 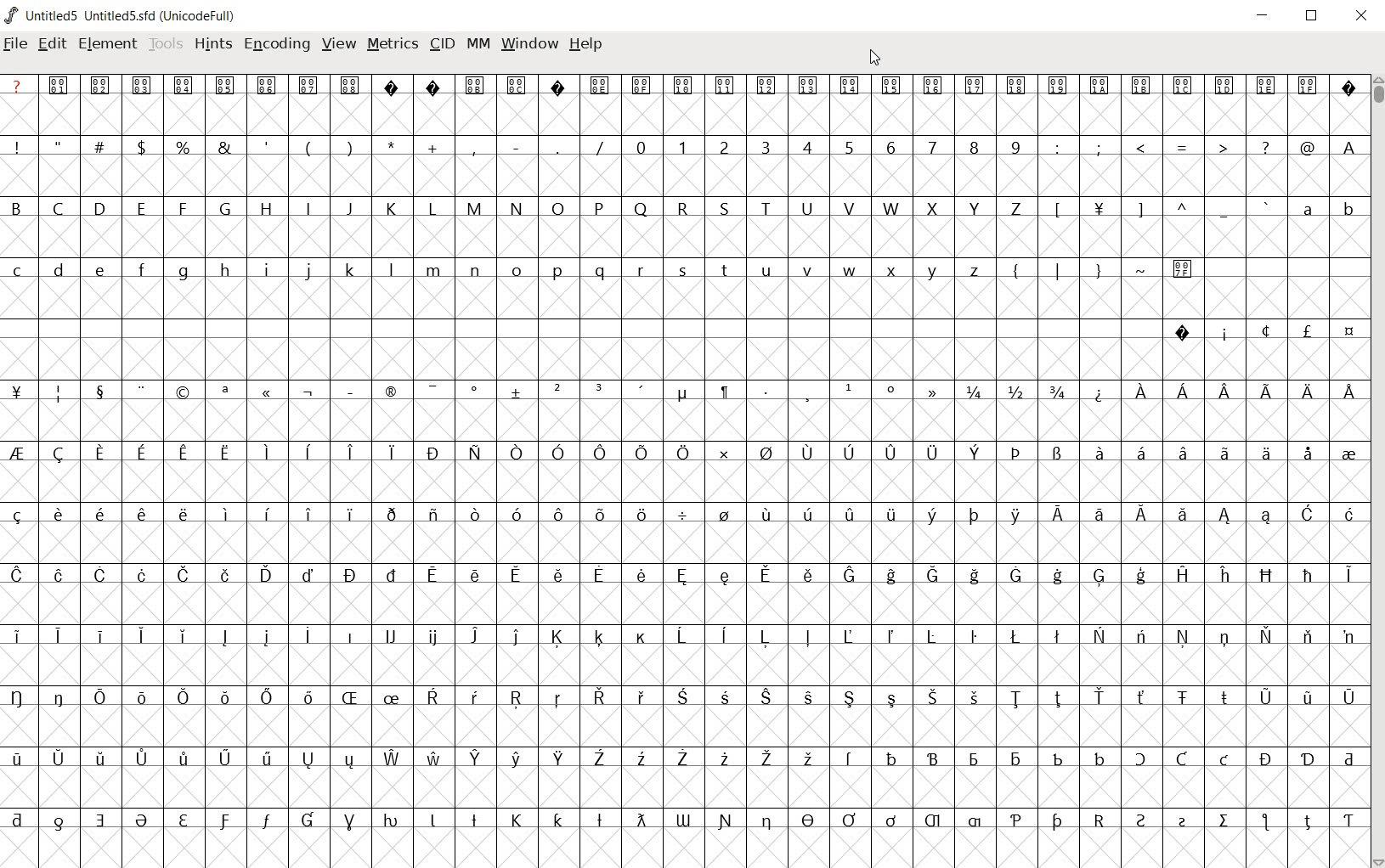 I want to click on Symbol, so click(x=1100, y=696).